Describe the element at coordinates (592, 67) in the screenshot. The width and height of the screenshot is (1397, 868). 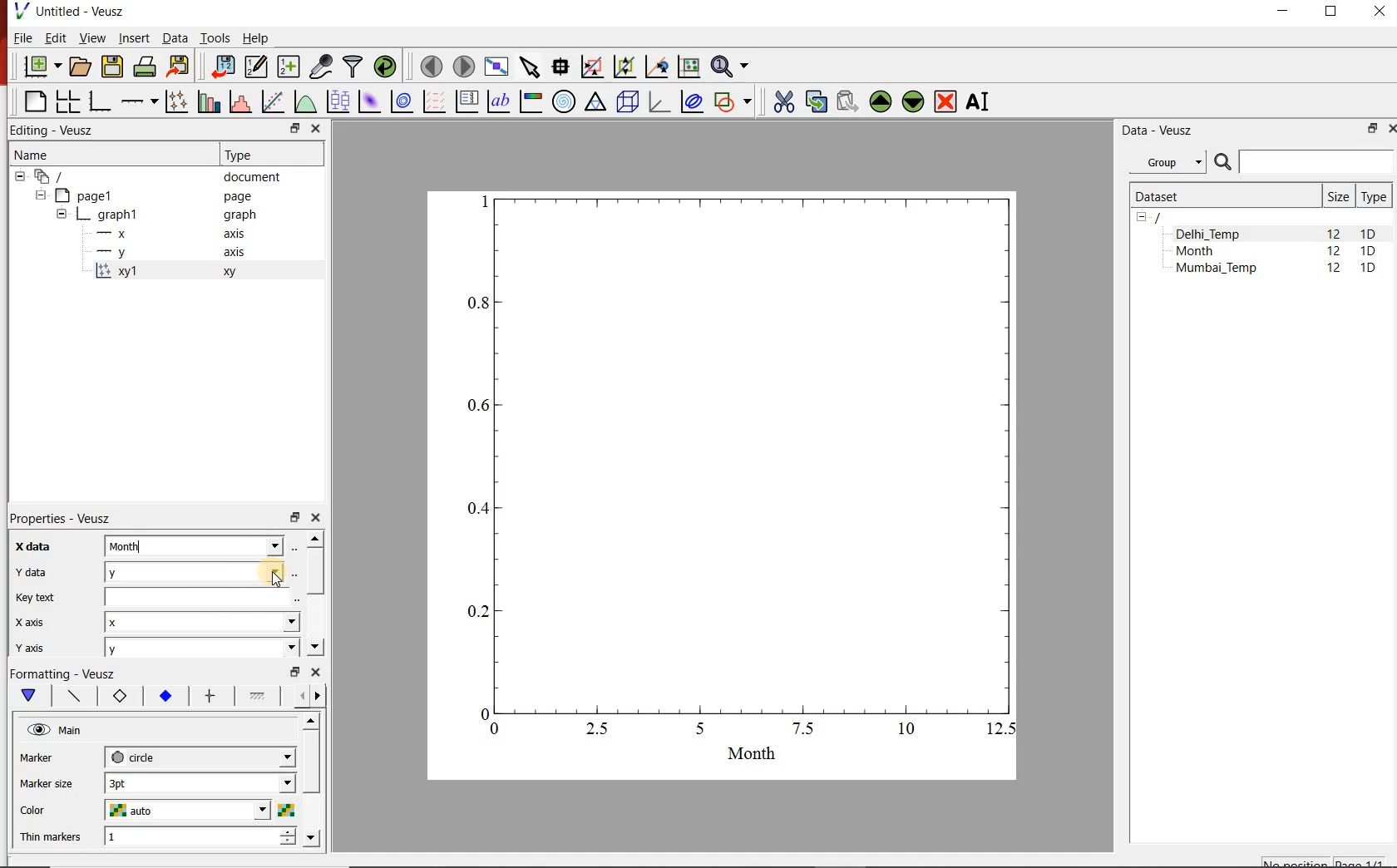
I see `click or draw a rectangle to zoom graph indexes` at that location.